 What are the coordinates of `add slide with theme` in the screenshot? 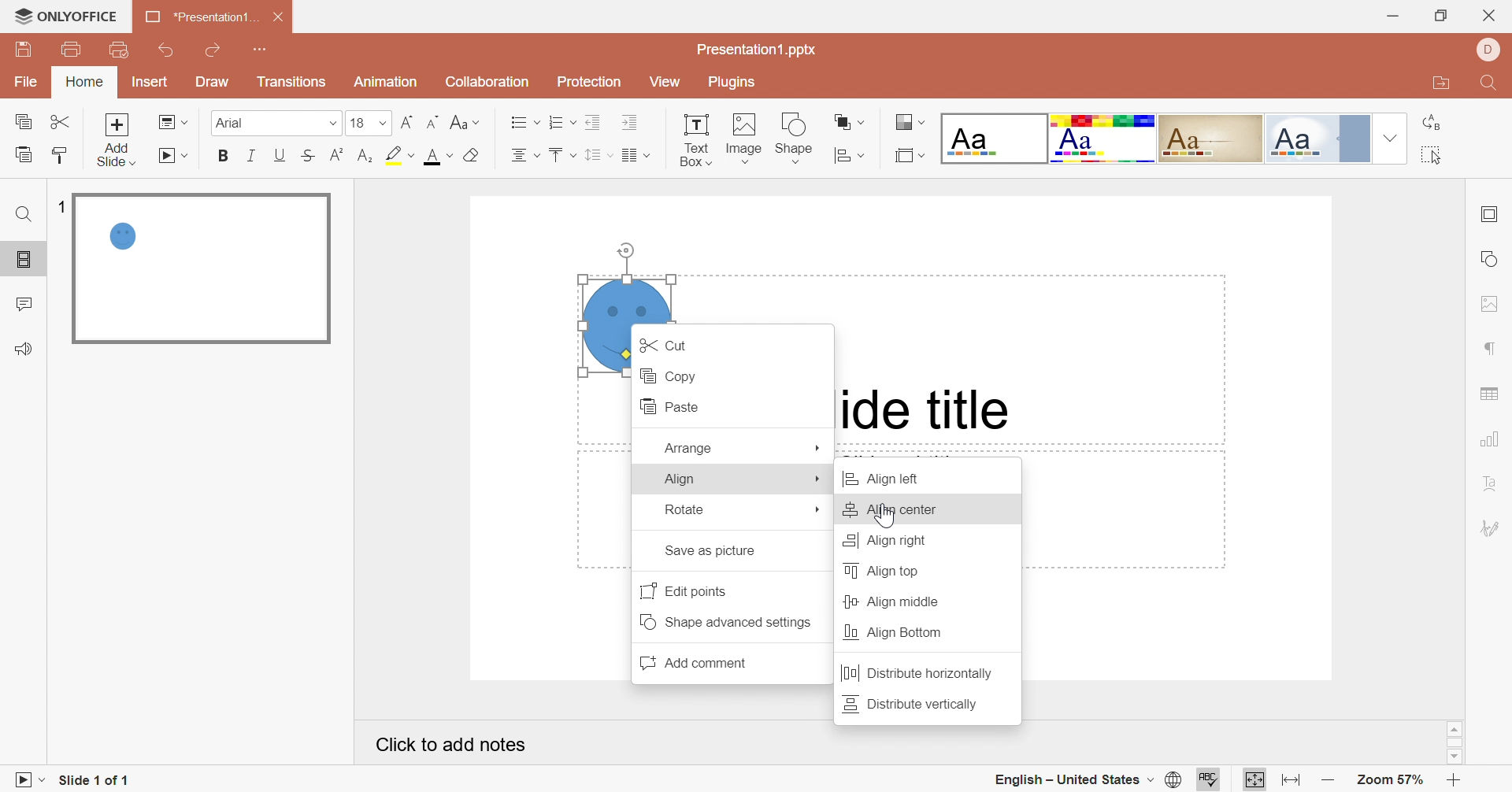 It's located at (115, 154).